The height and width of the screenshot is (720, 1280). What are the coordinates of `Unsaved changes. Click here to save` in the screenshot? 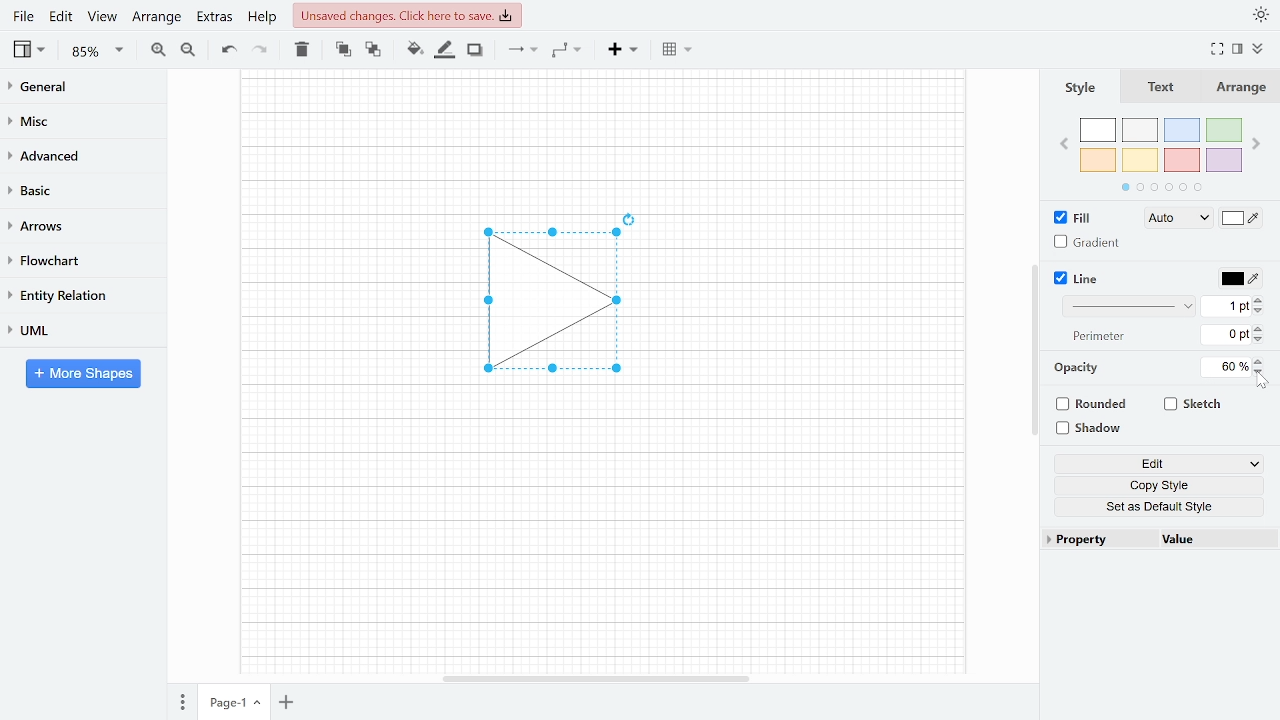 It's located at (410, 15).